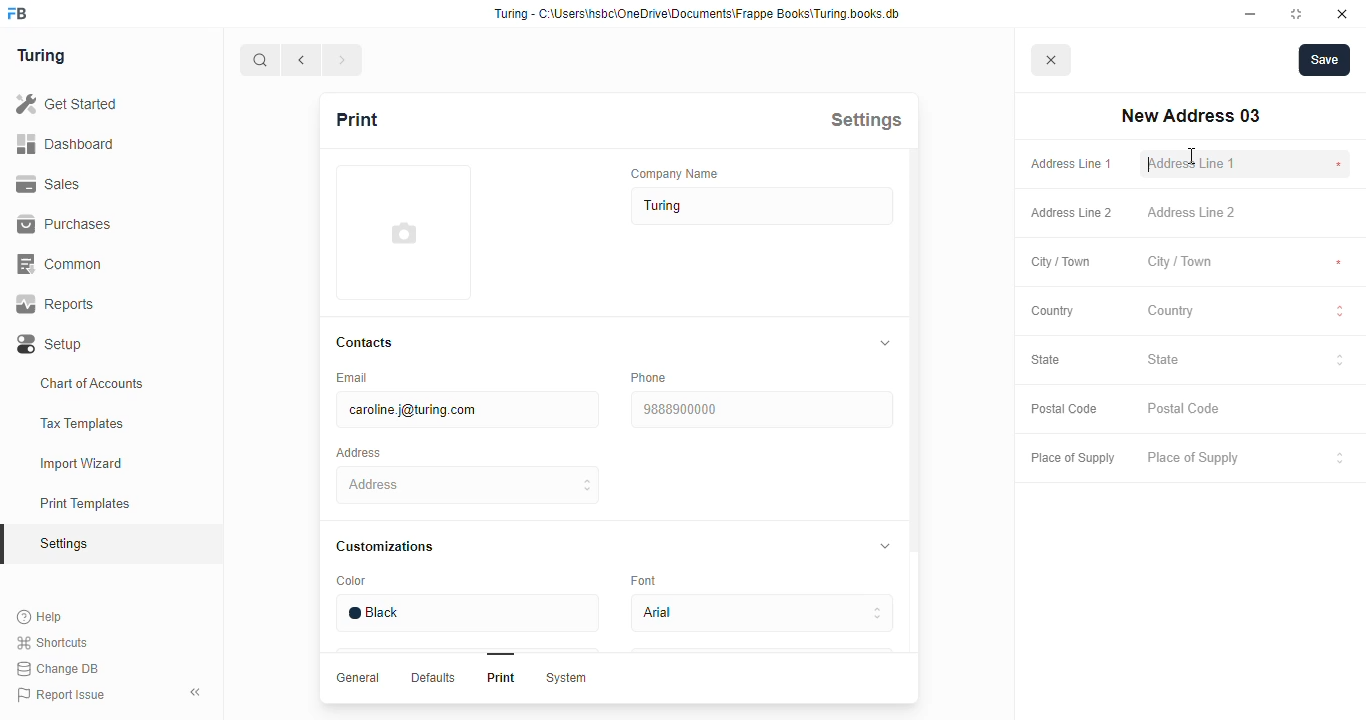 The width and height of the screenshot is (1366, 720). What do you see at coordinates (351, 581) in the screenshot?
I see `color` at bounding box center [351, 581].